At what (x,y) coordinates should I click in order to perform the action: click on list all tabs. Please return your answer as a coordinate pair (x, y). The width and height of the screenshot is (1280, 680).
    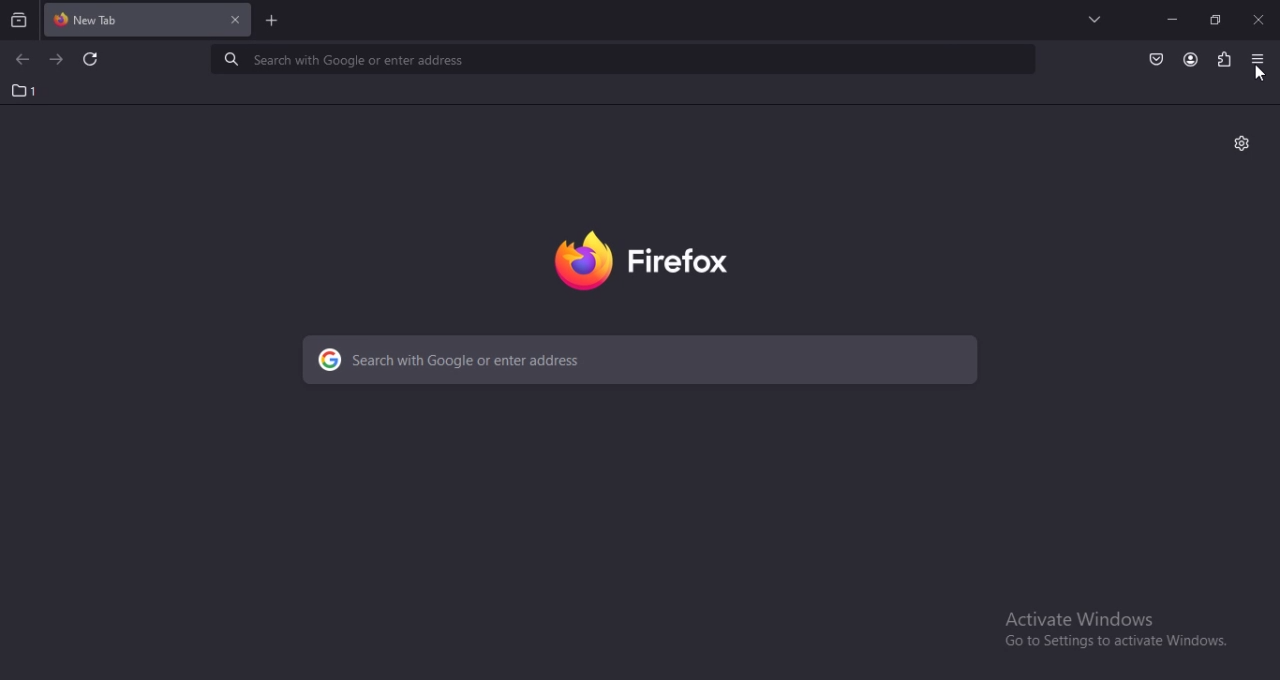
    Looking at the image, I should click on (1091, 19).